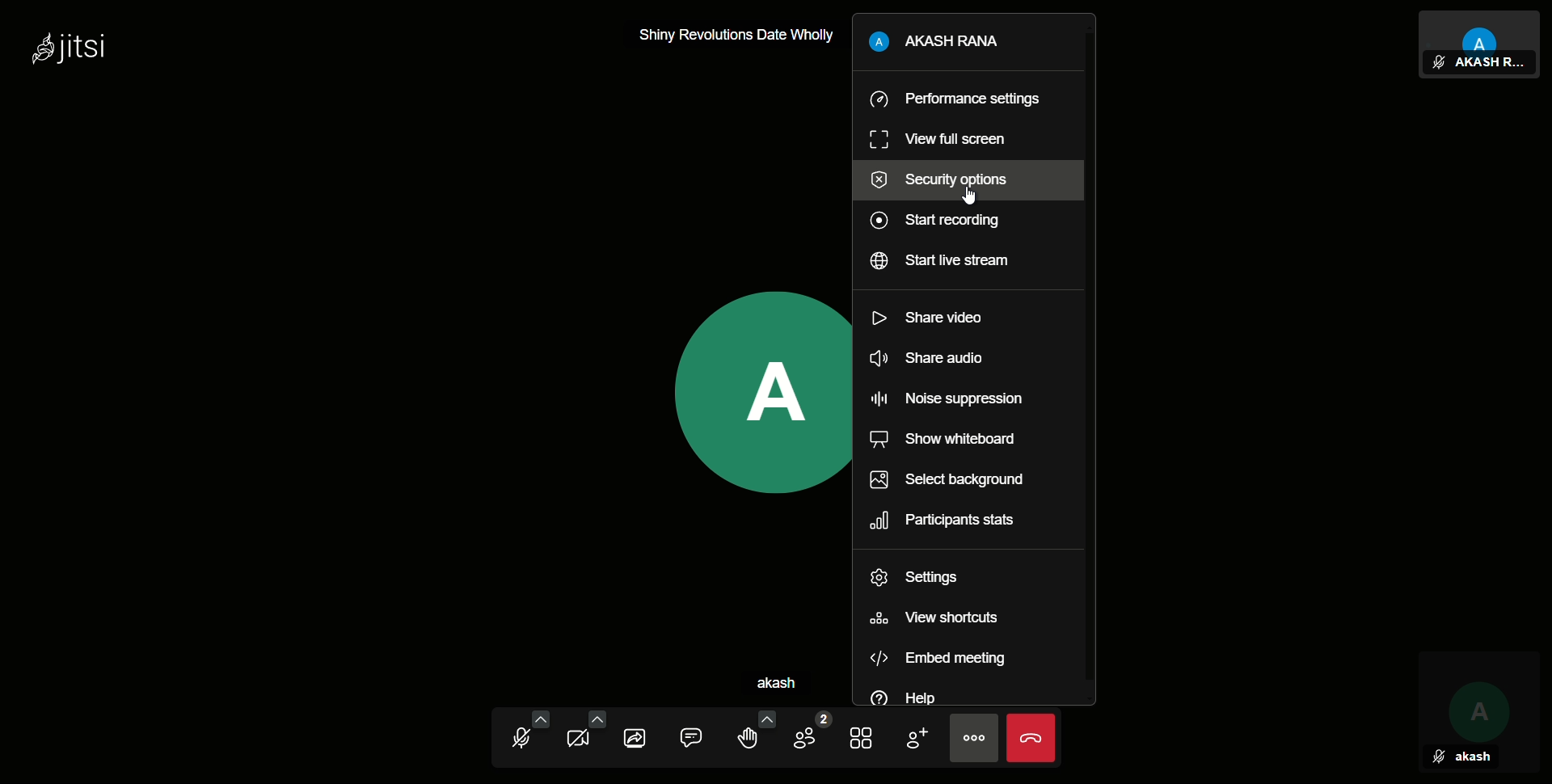 This screenshot has width=1552, height=784. Describe the element at coordinates (903, 698) in the screenshot. I see `help` at that location.